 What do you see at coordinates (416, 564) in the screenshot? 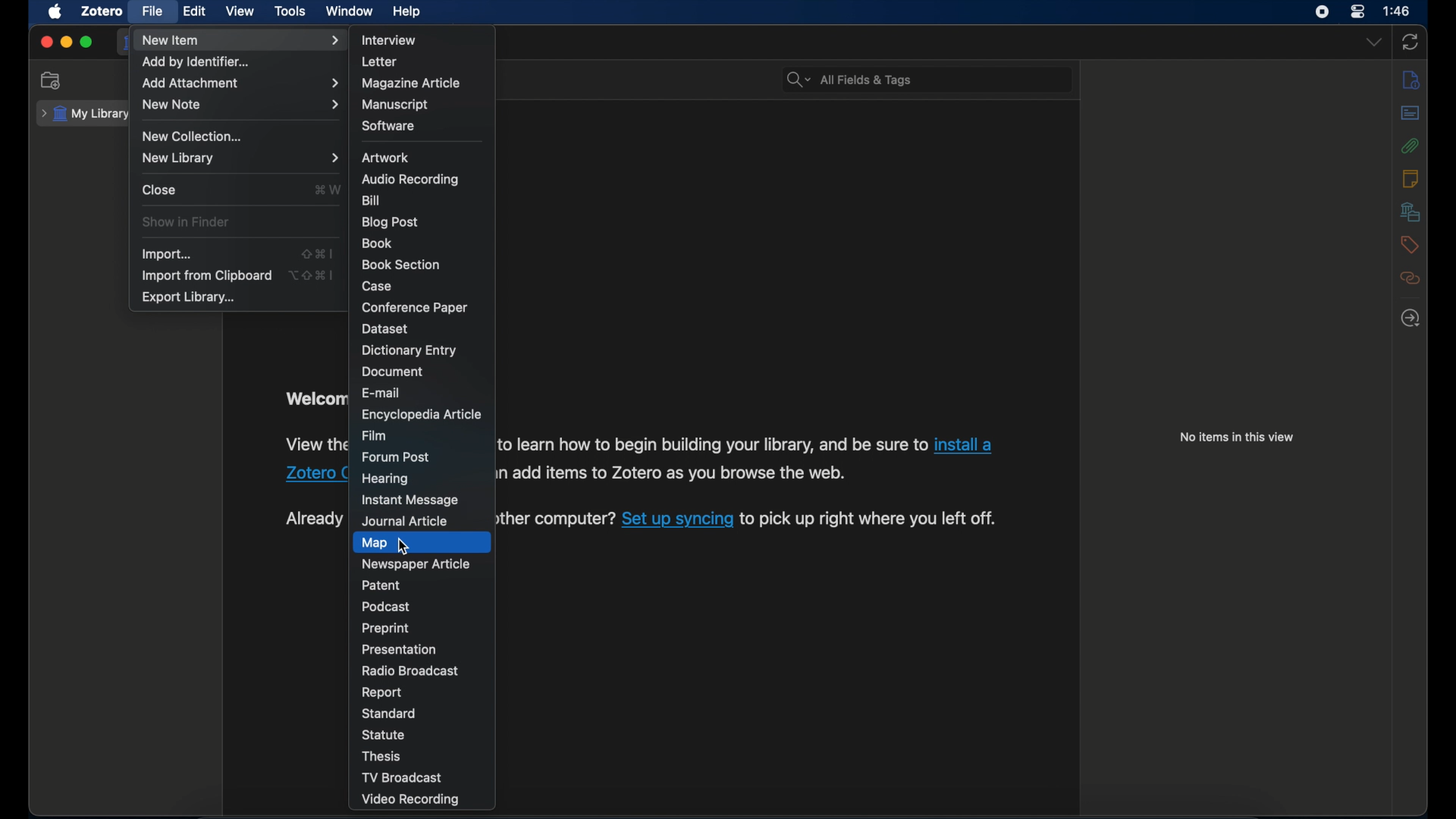
I see `newspaper article` at bounding box center [416, 564].